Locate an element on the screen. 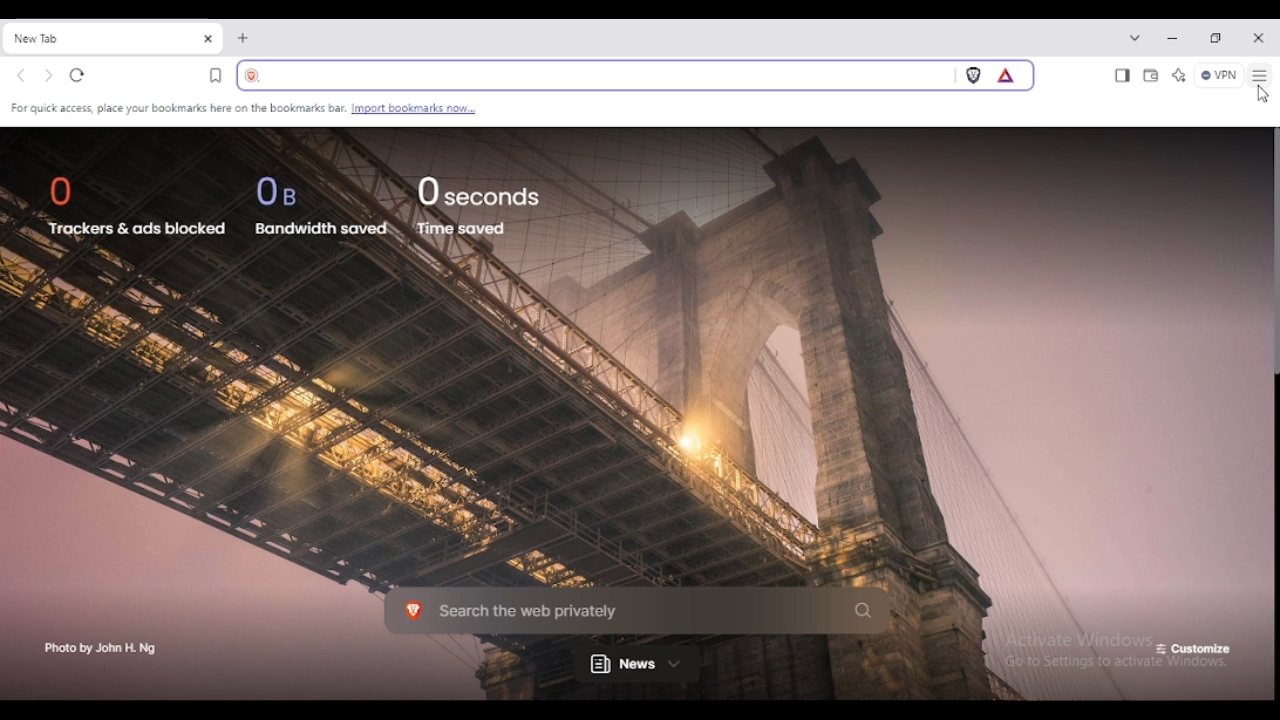 The height and width of the screenshot is (720, 1280). search is located at coordinates (593, 75).